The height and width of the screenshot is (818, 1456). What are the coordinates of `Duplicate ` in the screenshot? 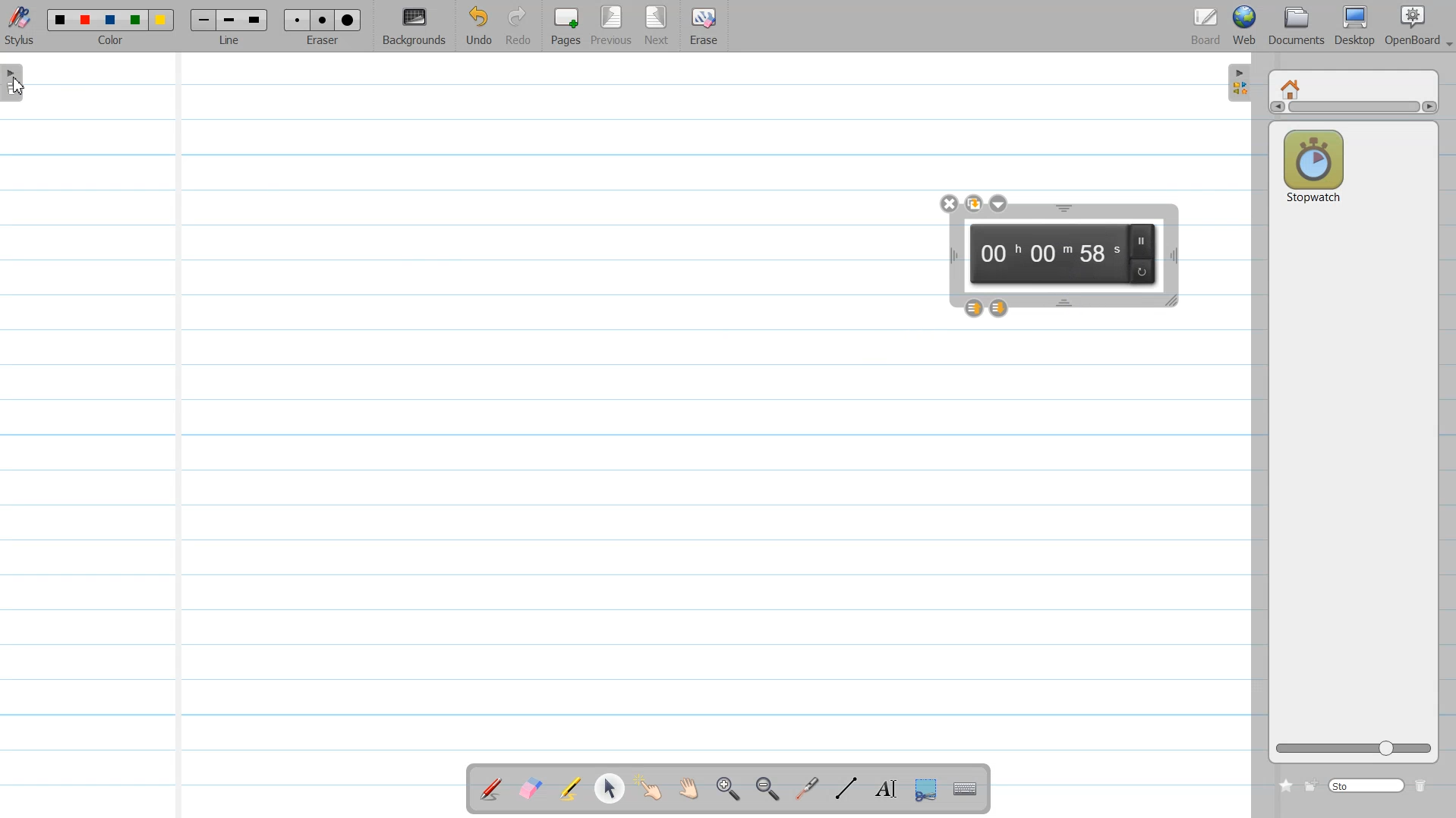 It's located at (975, 203).